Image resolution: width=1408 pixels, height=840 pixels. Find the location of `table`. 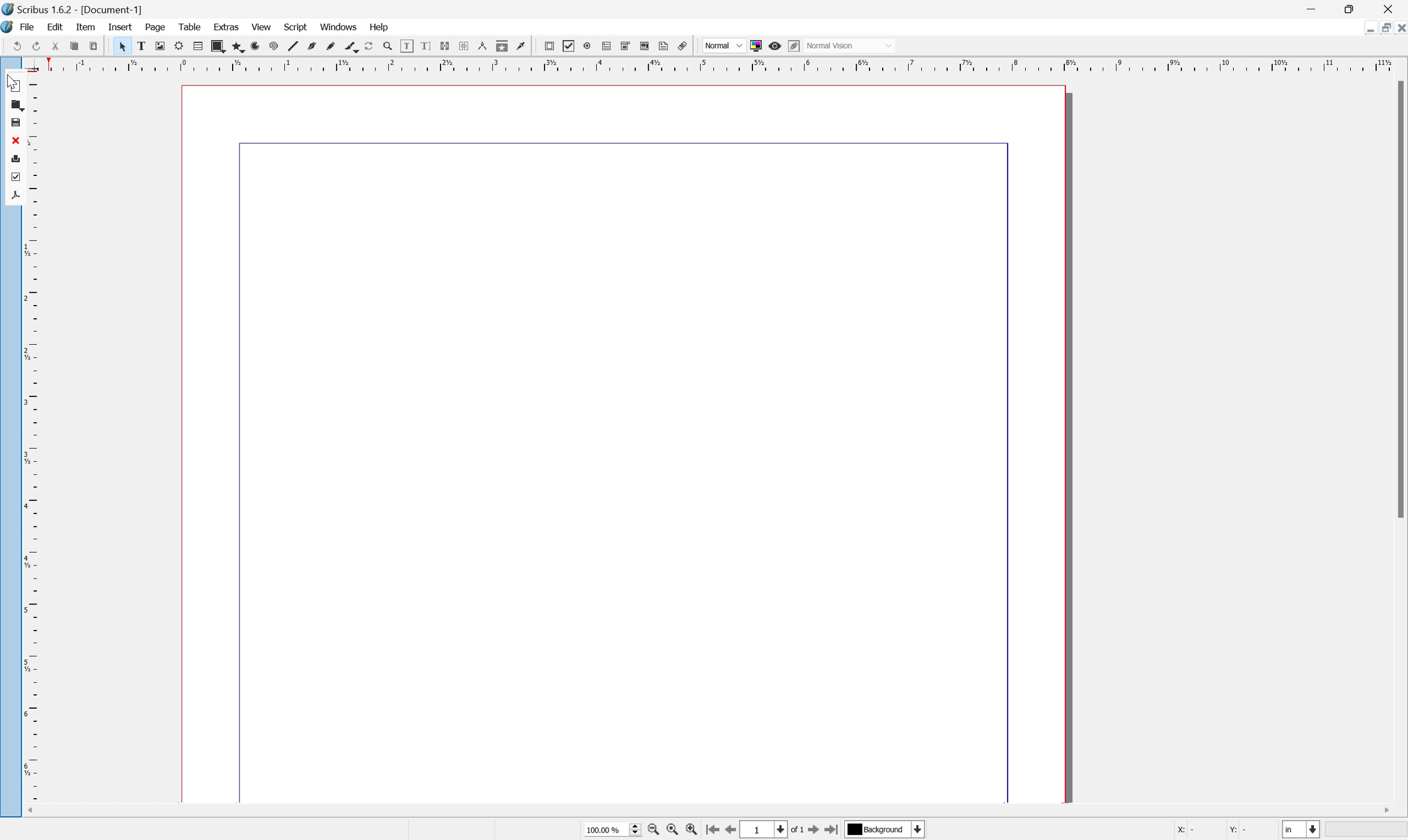

table is located at coordinates (332, 46).